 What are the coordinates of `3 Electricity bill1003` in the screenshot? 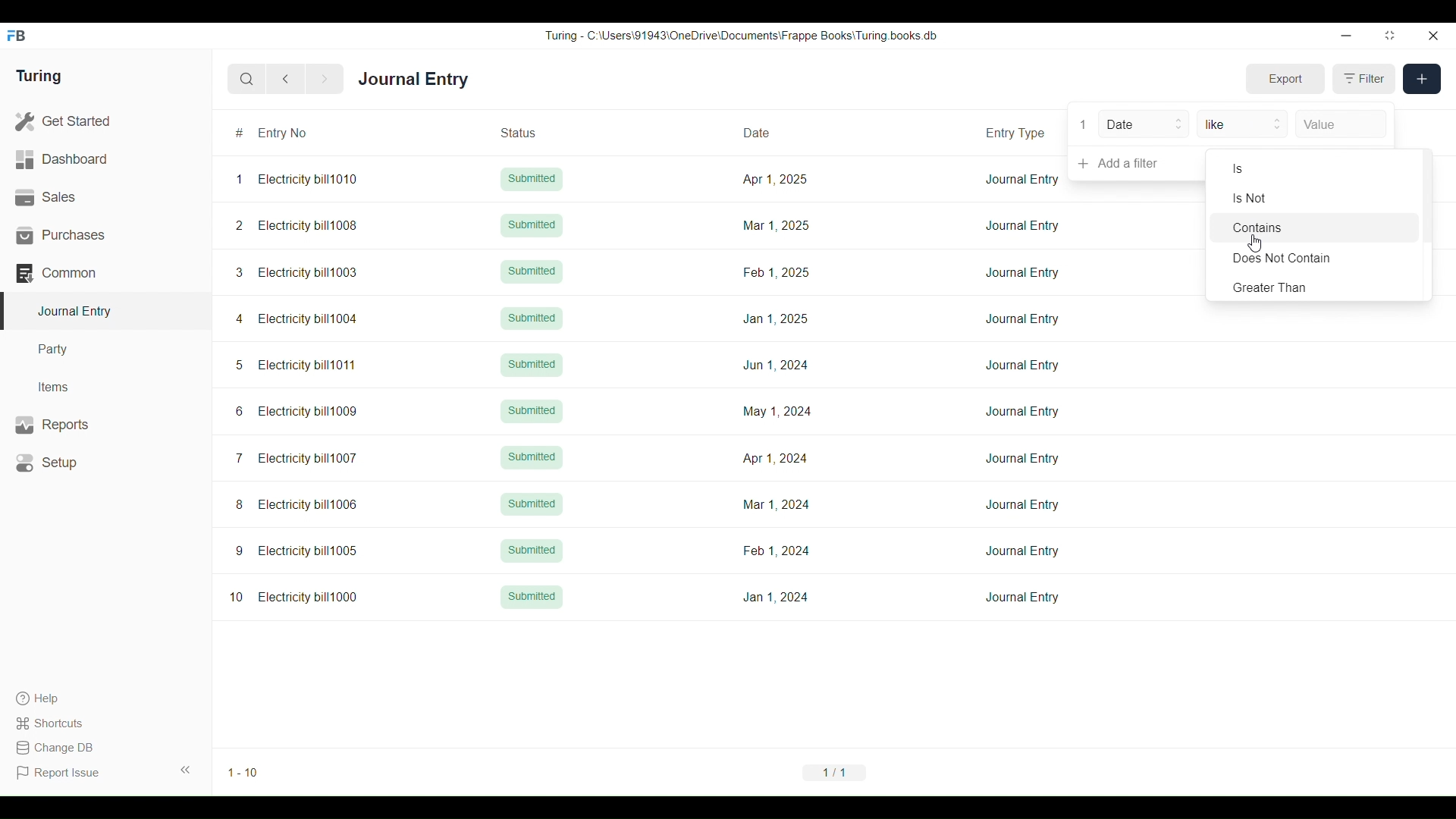 It's located at (297, 272).